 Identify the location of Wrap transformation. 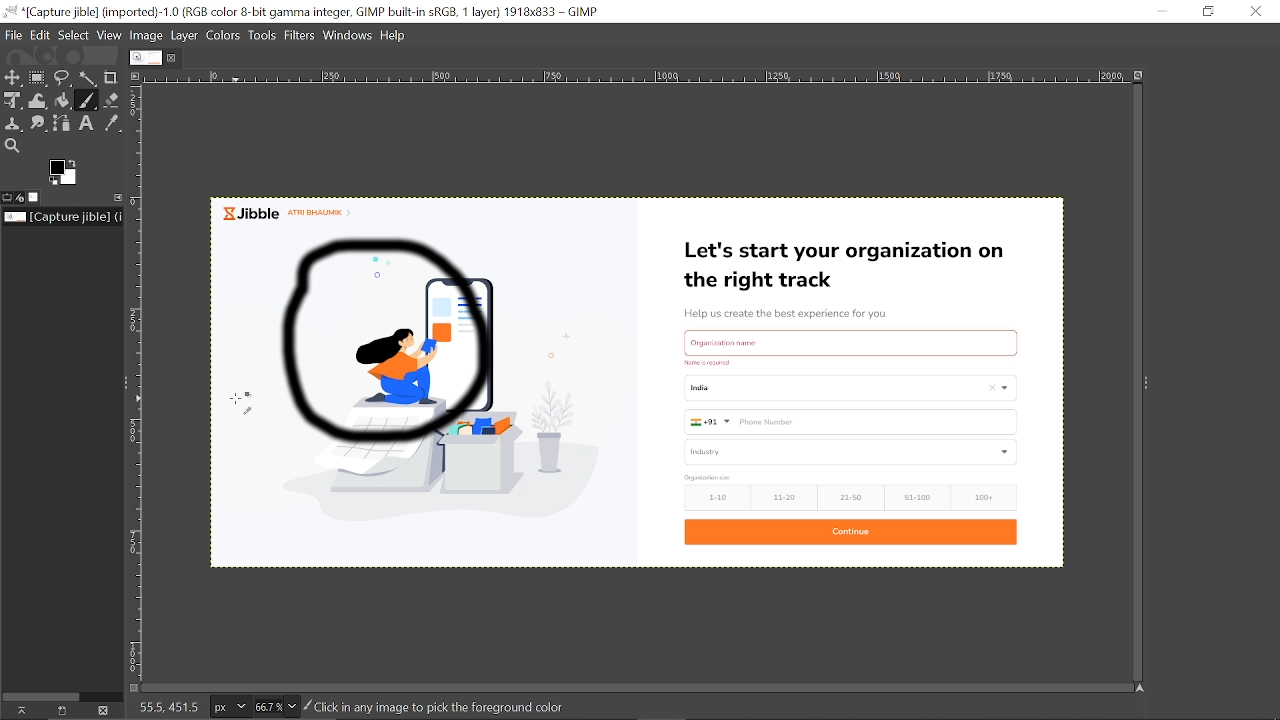
(39, 100).